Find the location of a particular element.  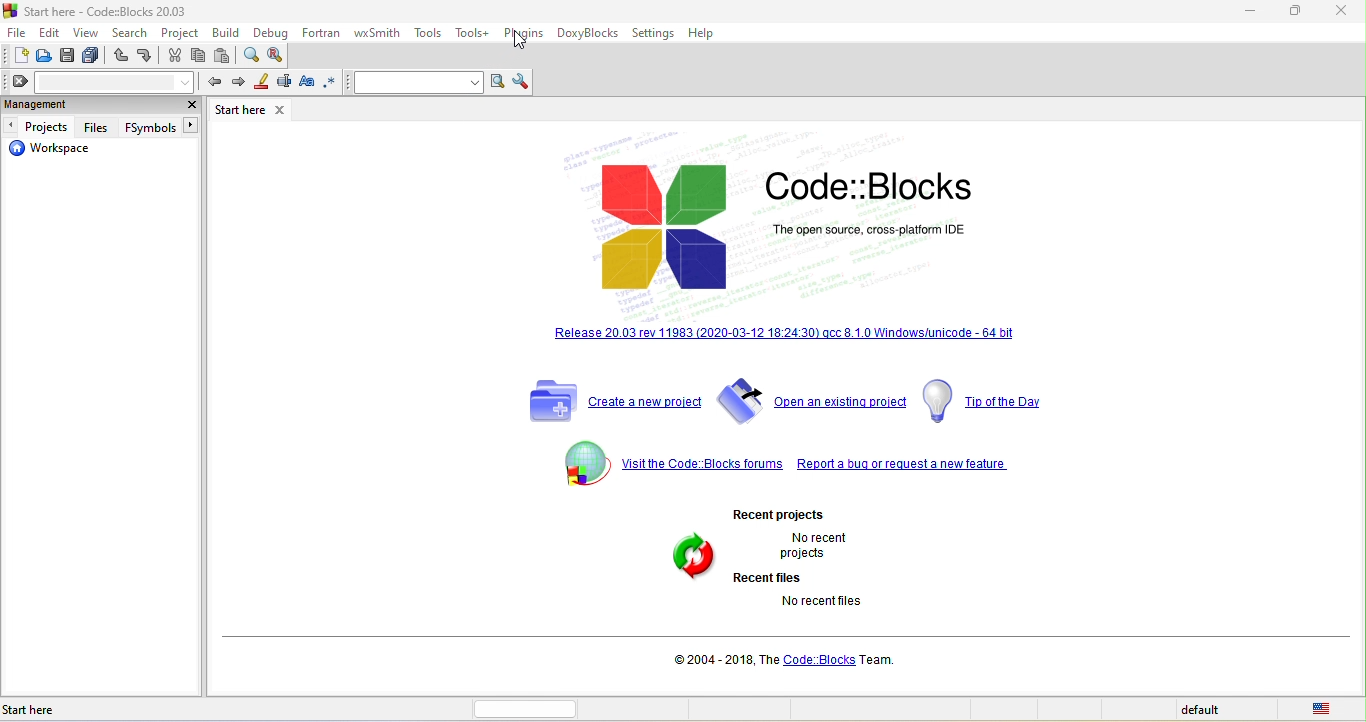

close is located at coordinates (1341, 12).